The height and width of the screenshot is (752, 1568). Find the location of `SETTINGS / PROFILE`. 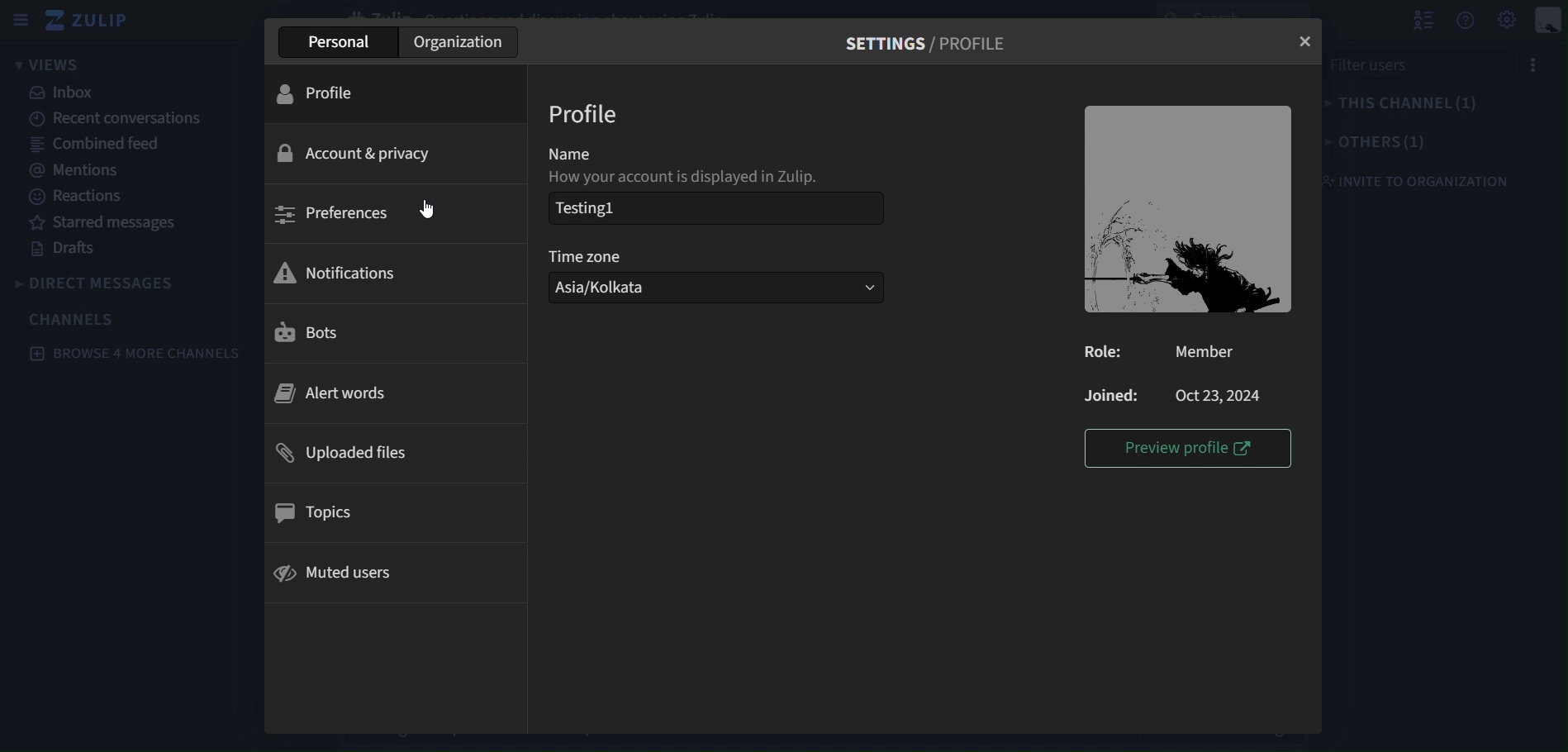

SETTINGS / PROFILE is located at coordinates (937, 42).